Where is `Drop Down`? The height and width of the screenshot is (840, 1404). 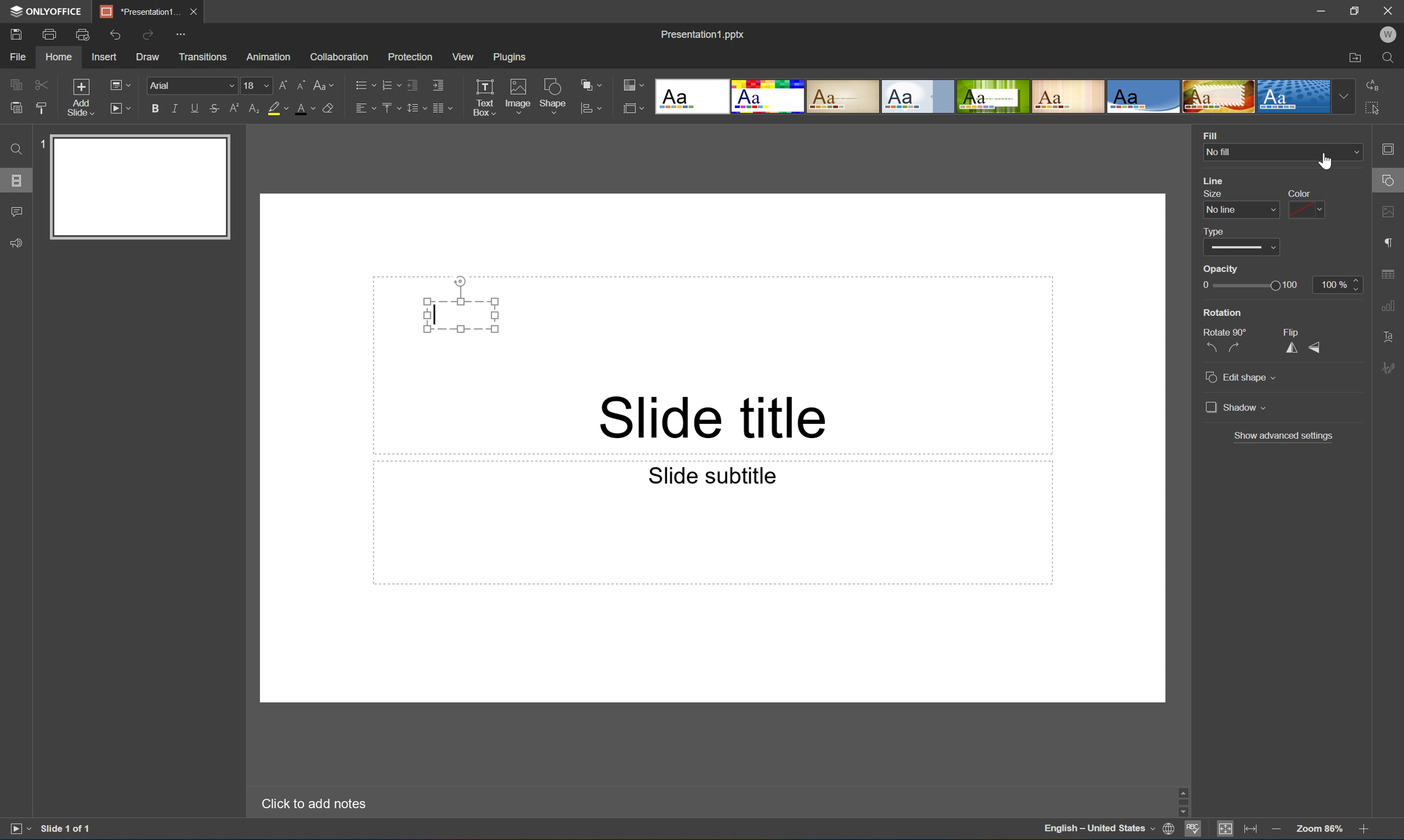 Drop Down is located at coordinates (1276, 211).